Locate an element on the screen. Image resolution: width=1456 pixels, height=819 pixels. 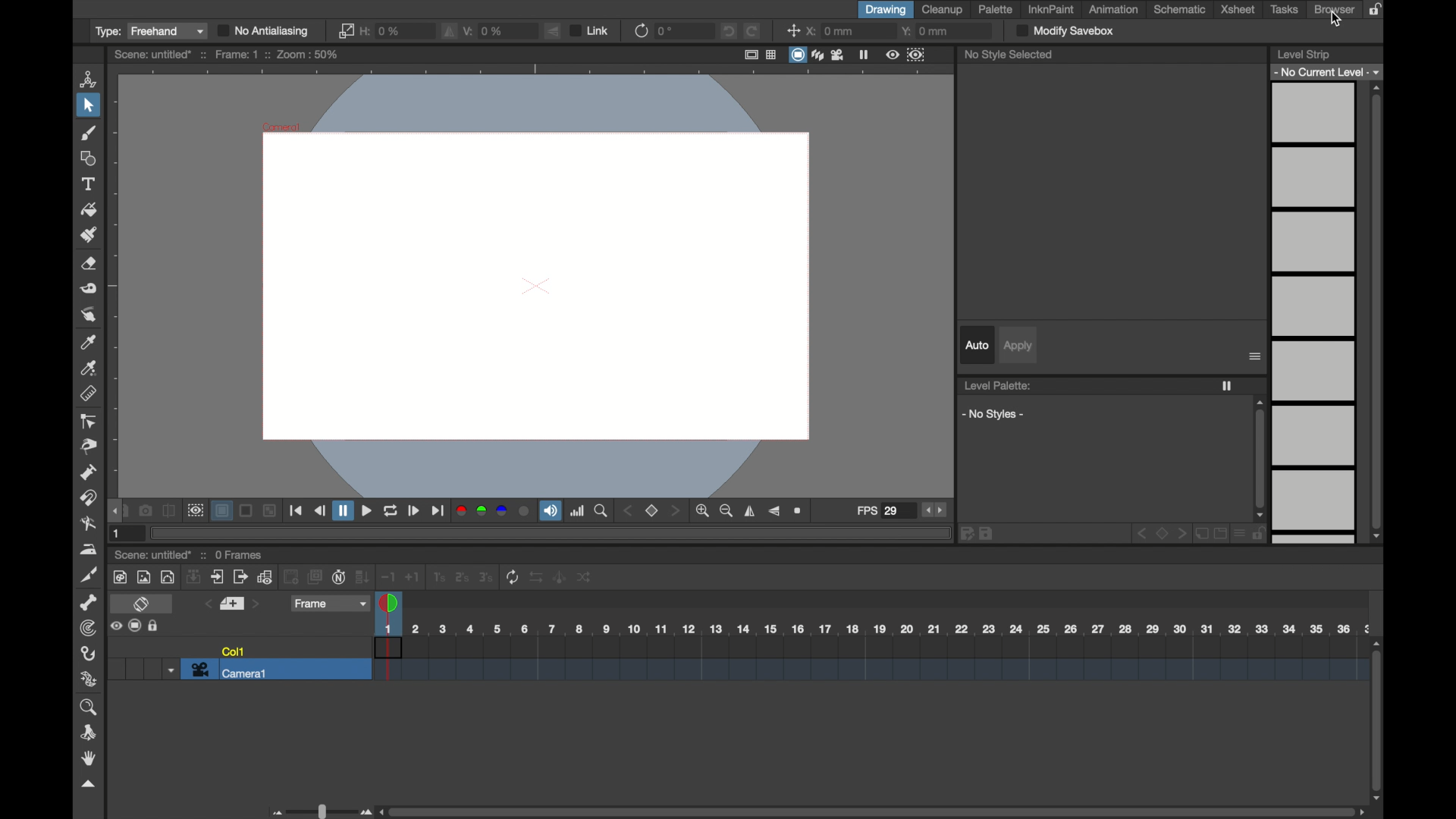
scroll box is located at coordinates (1260, 458).